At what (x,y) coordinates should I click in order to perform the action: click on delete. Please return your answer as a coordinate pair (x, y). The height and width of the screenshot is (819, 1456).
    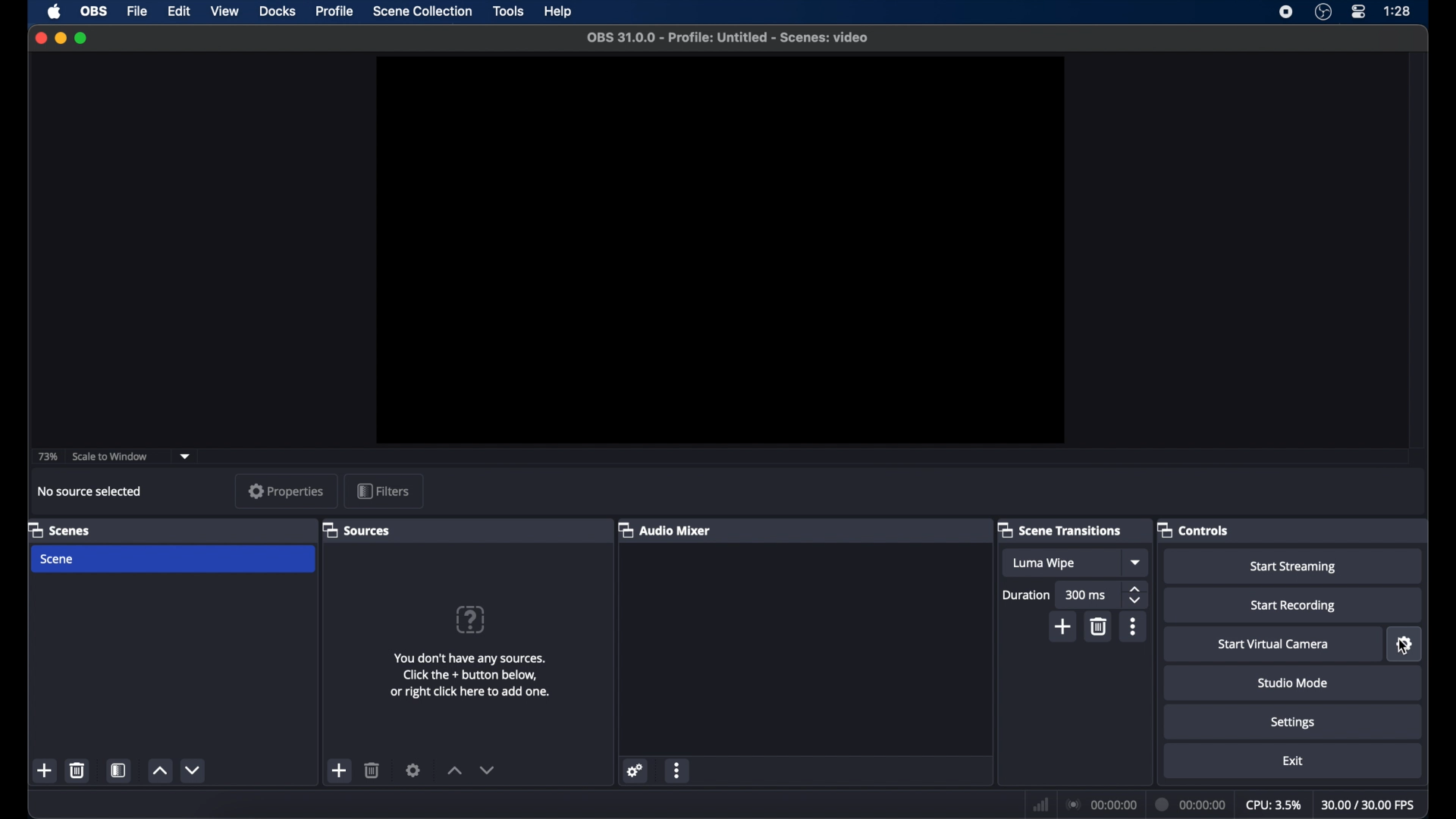
    Looking at the image, I should click on (372, 770).